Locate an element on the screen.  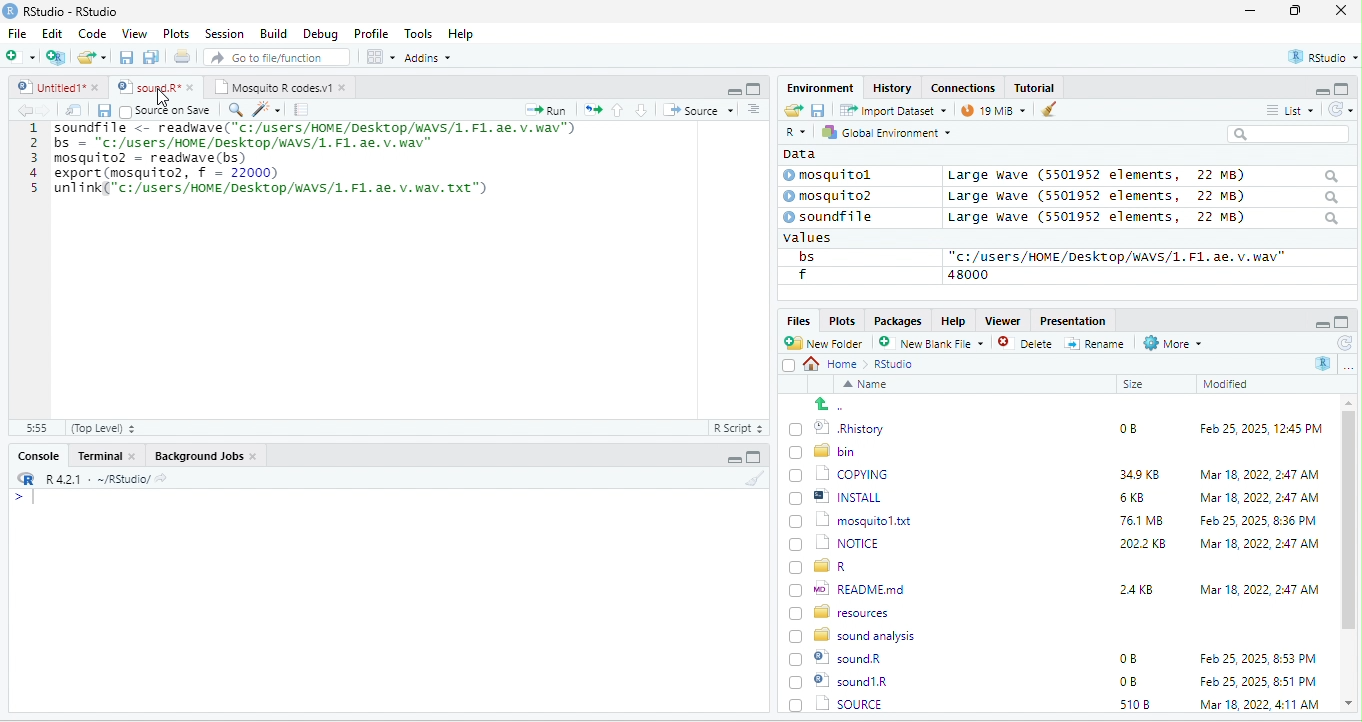
Plots is located at coordinates (842, 320).